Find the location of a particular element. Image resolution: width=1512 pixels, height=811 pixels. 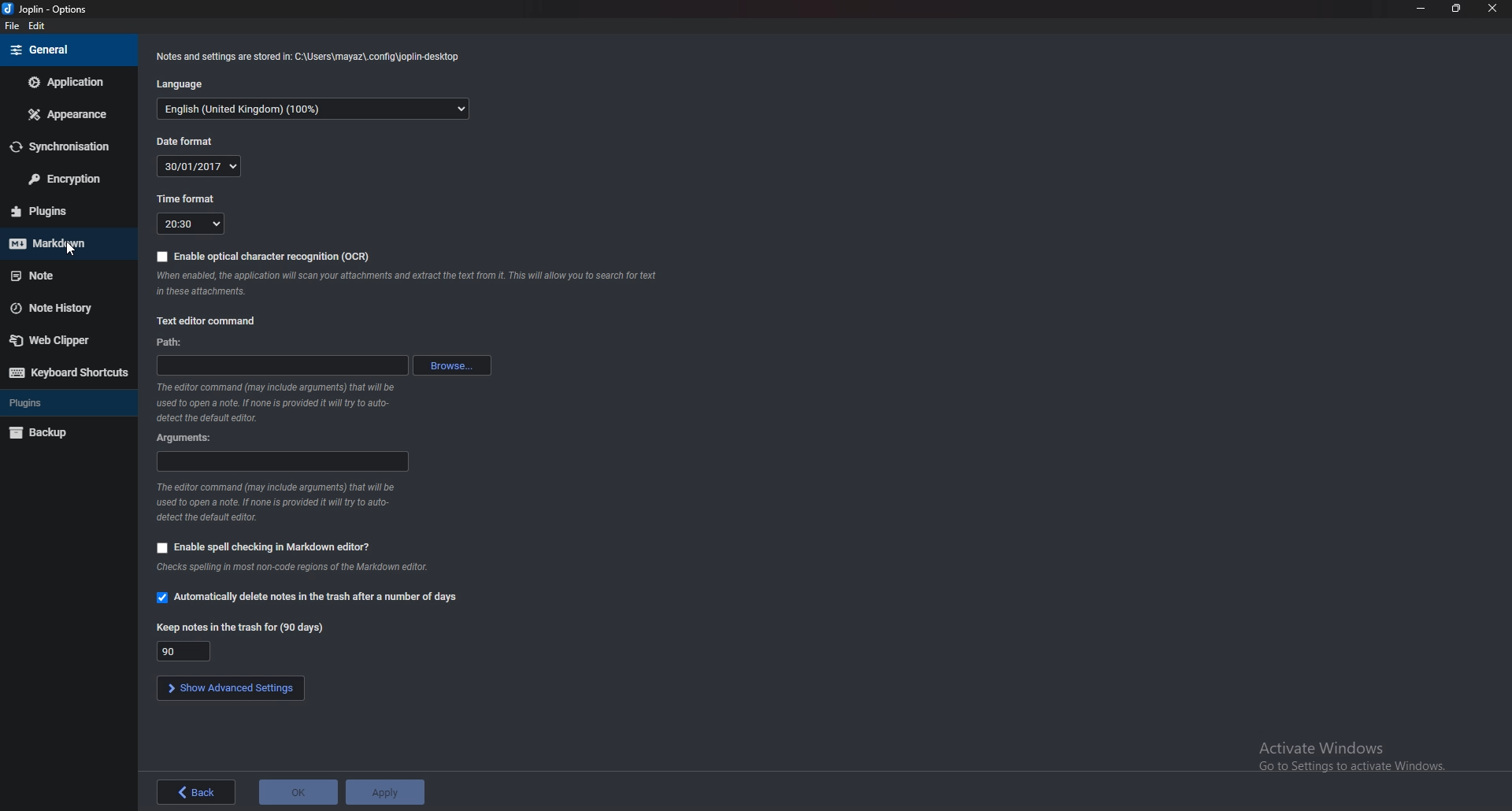

ok is located at coordinates (298, 791).